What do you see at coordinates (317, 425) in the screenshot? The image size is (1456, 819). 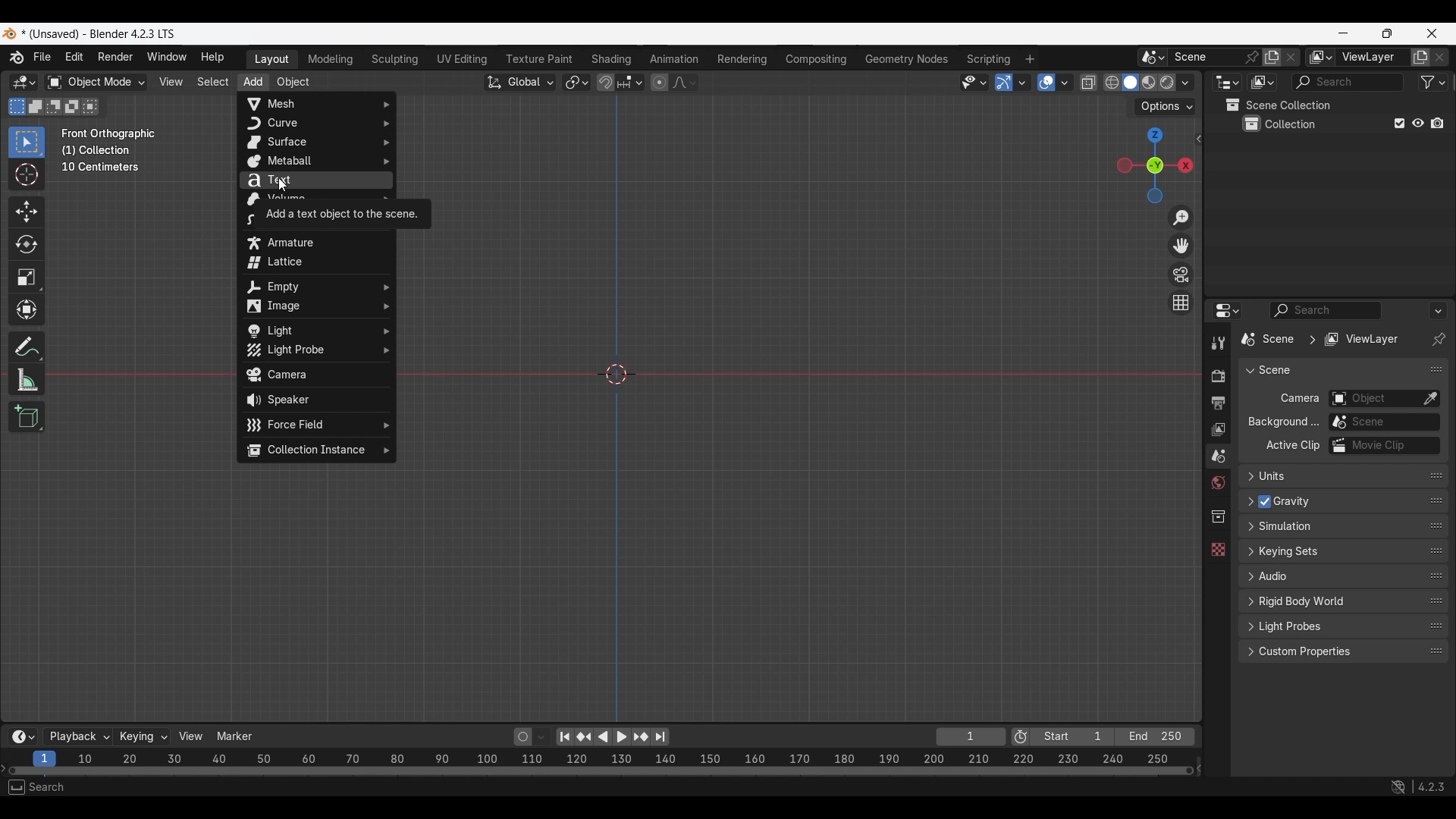 I see `Force Field options` at bounding box center [317, 425].